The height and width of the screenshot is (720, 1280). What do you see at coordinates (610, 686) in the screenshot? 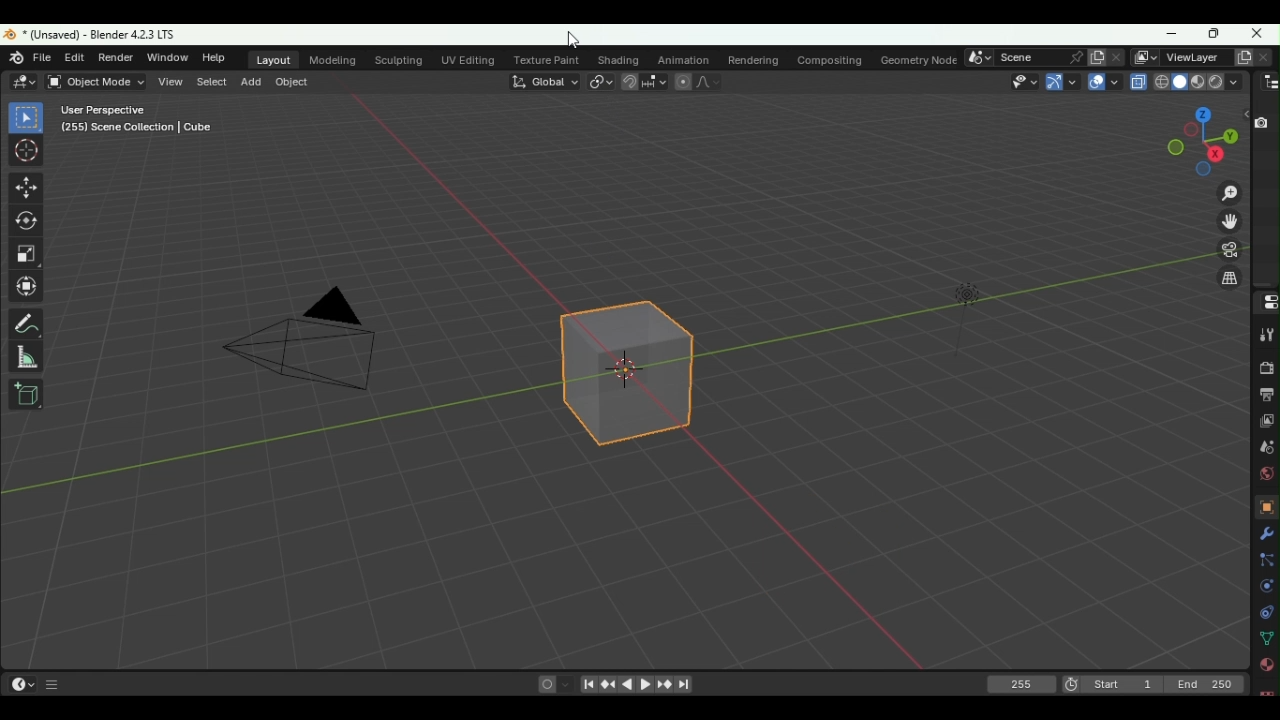
I see `Jump to previous/next frame` at bounding box center [610, 686].